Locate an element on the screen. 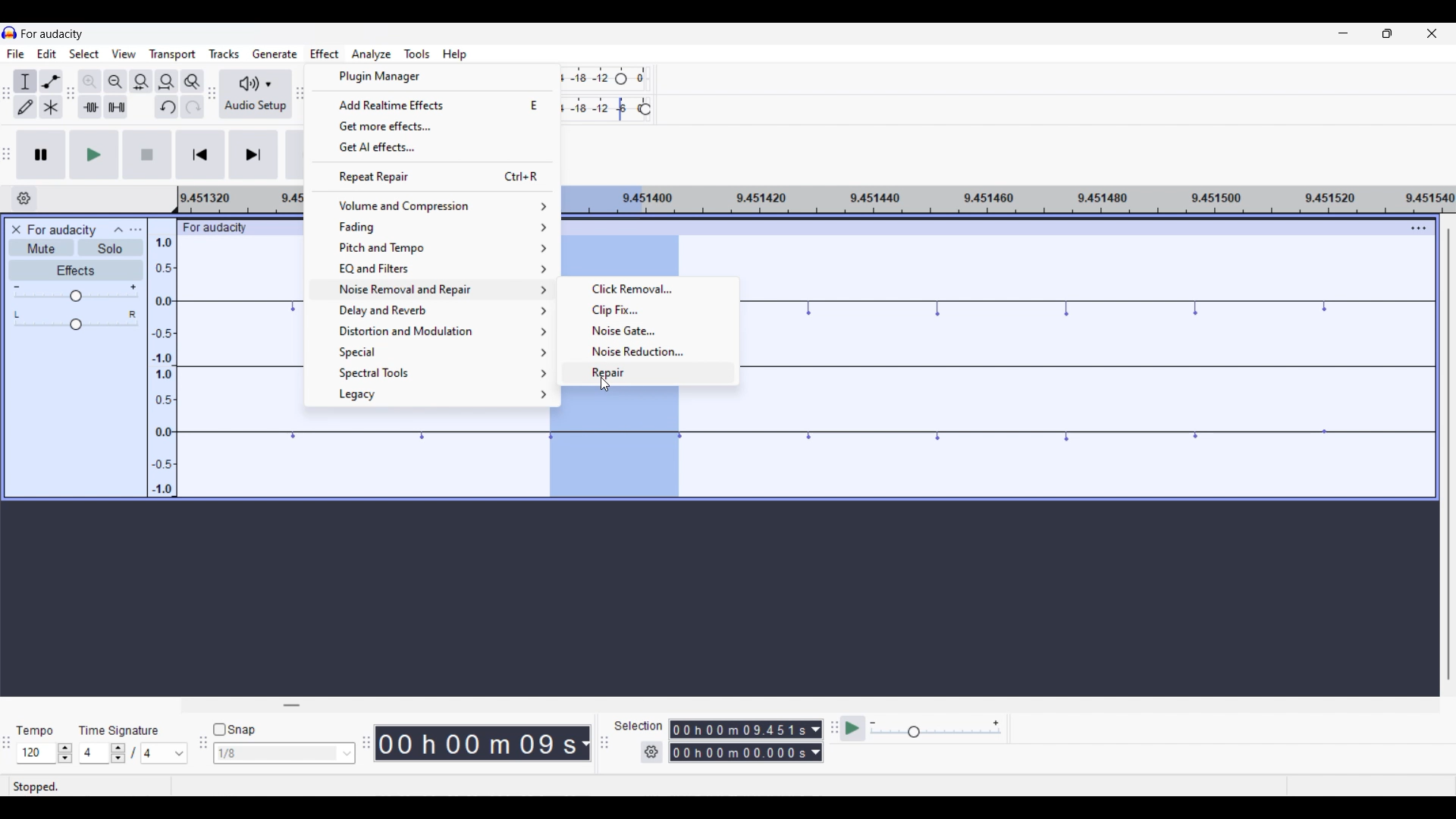 The width and height of the screenshot is (1456, 819). Fading options is located at coordinates (435, 227).